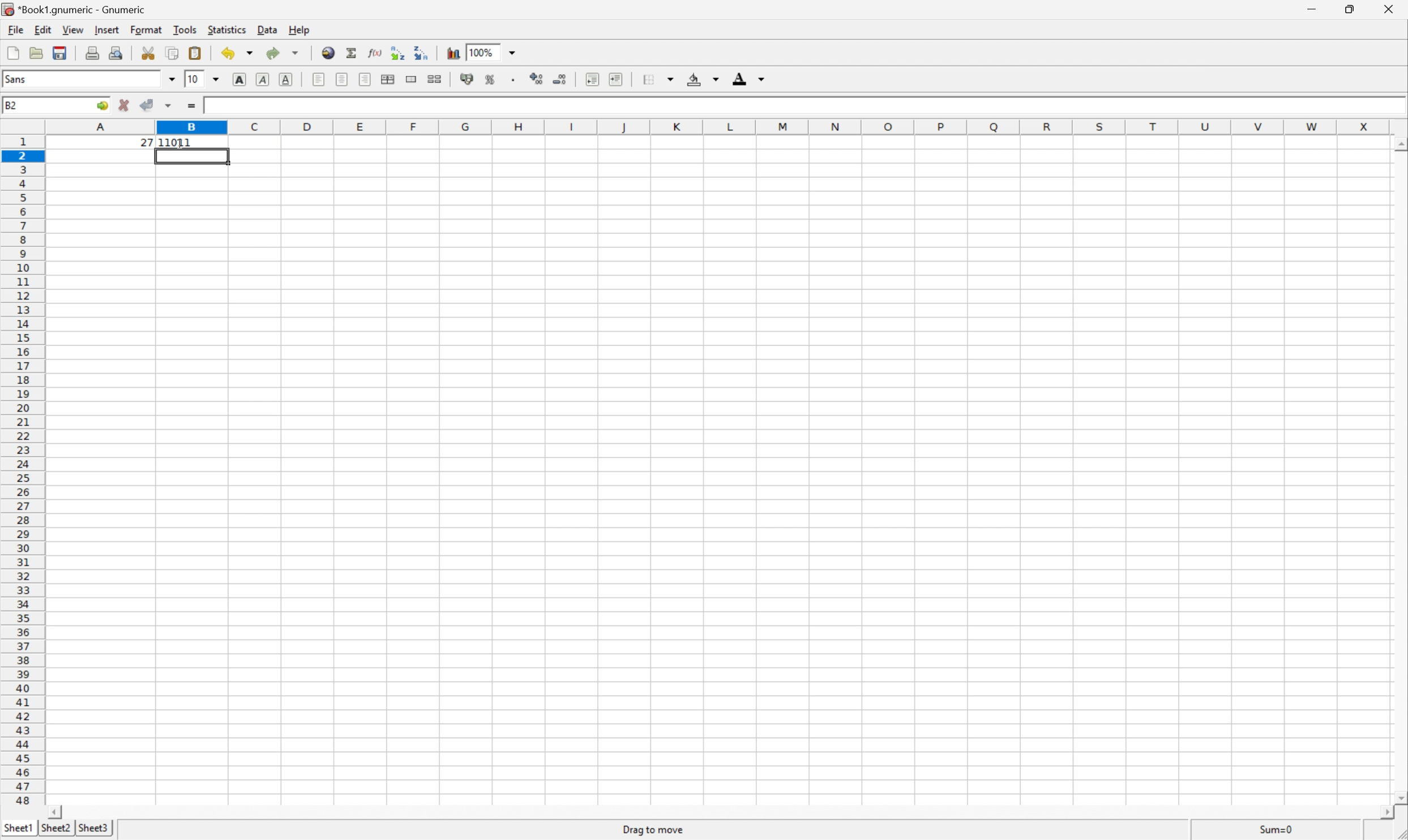 This screenshot has width=1408, height=840. Describe the element at coordinates (387, 79) in the screenshot. I see `Center horizontally across selection` at that location.